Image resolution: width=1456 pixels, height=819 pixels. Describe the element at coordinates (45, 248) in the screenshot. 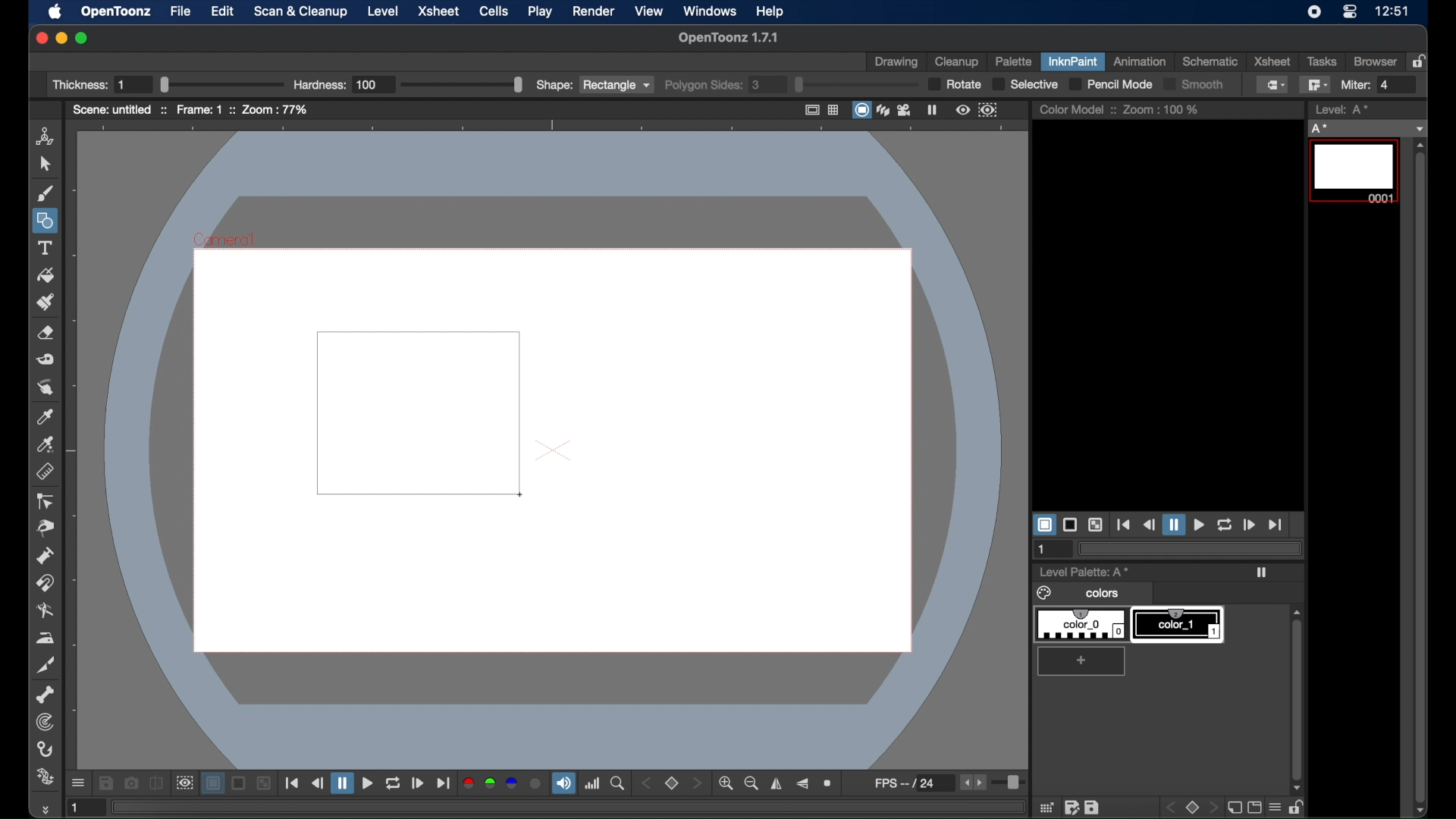

I see `text` at that location.